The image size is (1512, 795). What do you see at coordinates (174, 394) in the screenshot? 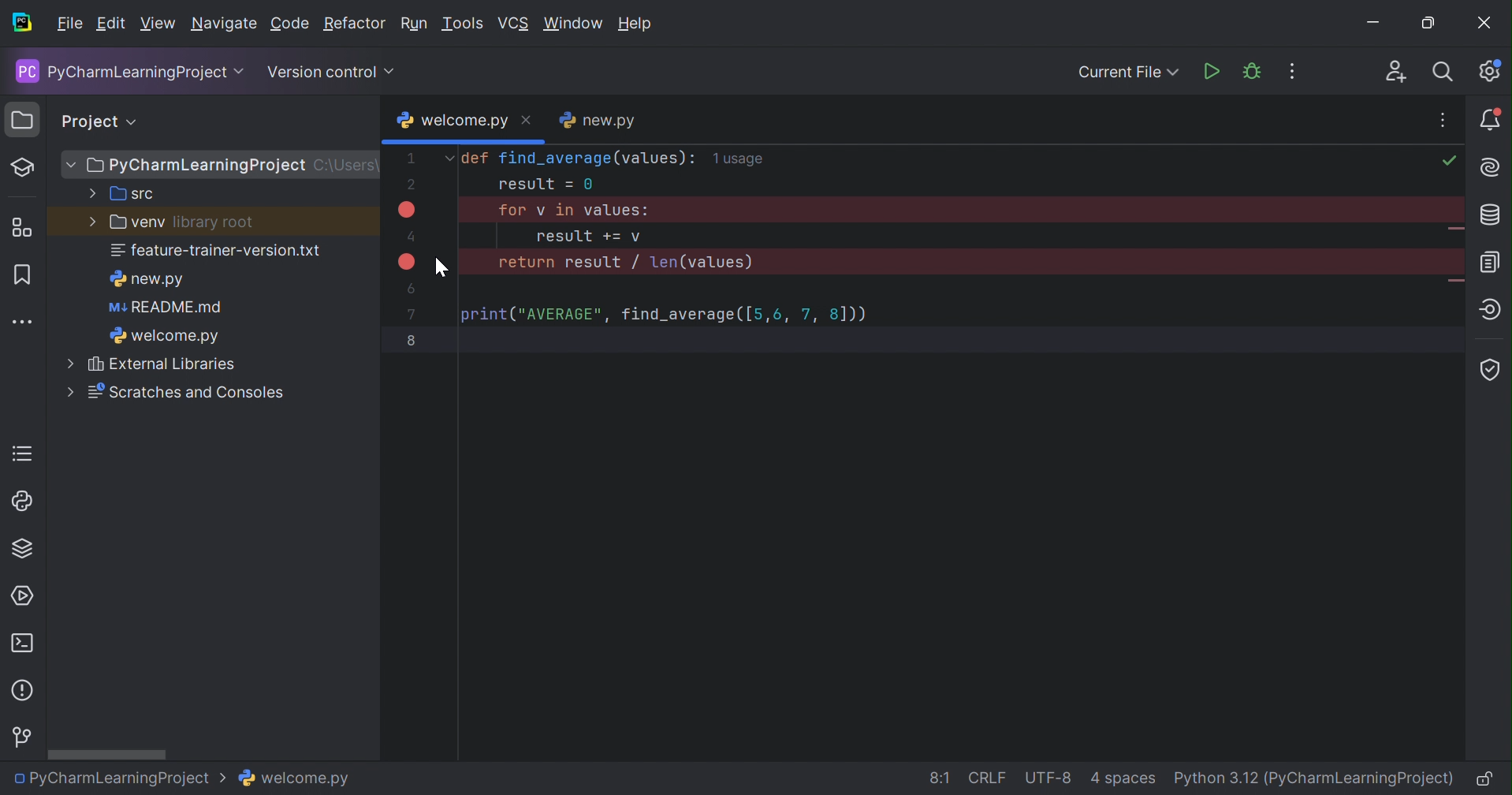
I see `Scratches and Consoles` at bounding box center [174, 394].